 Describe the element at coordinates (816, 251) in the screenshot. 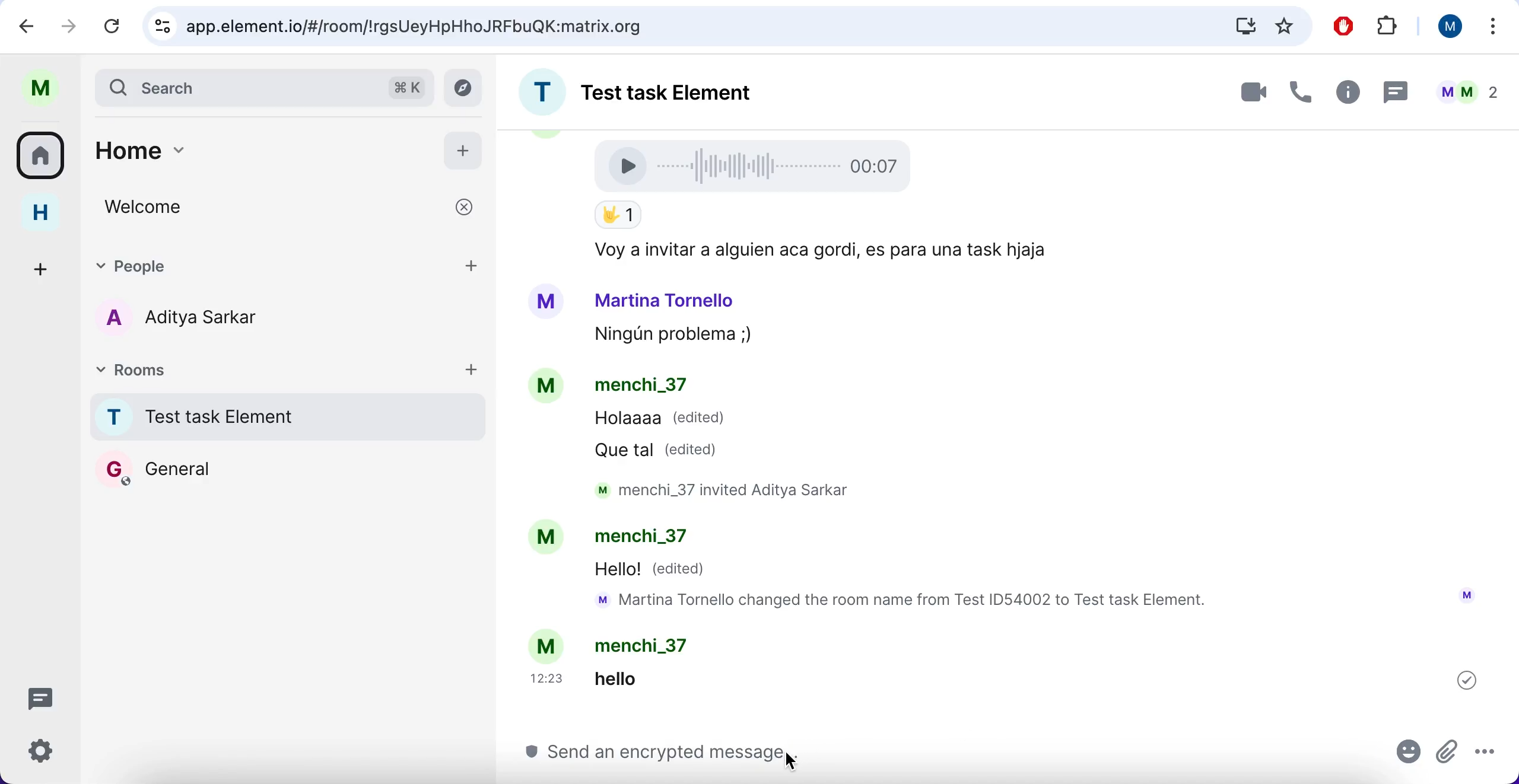

I see `Voy a invitar a alguien aca gordi, es para una task hjaja` at that location.